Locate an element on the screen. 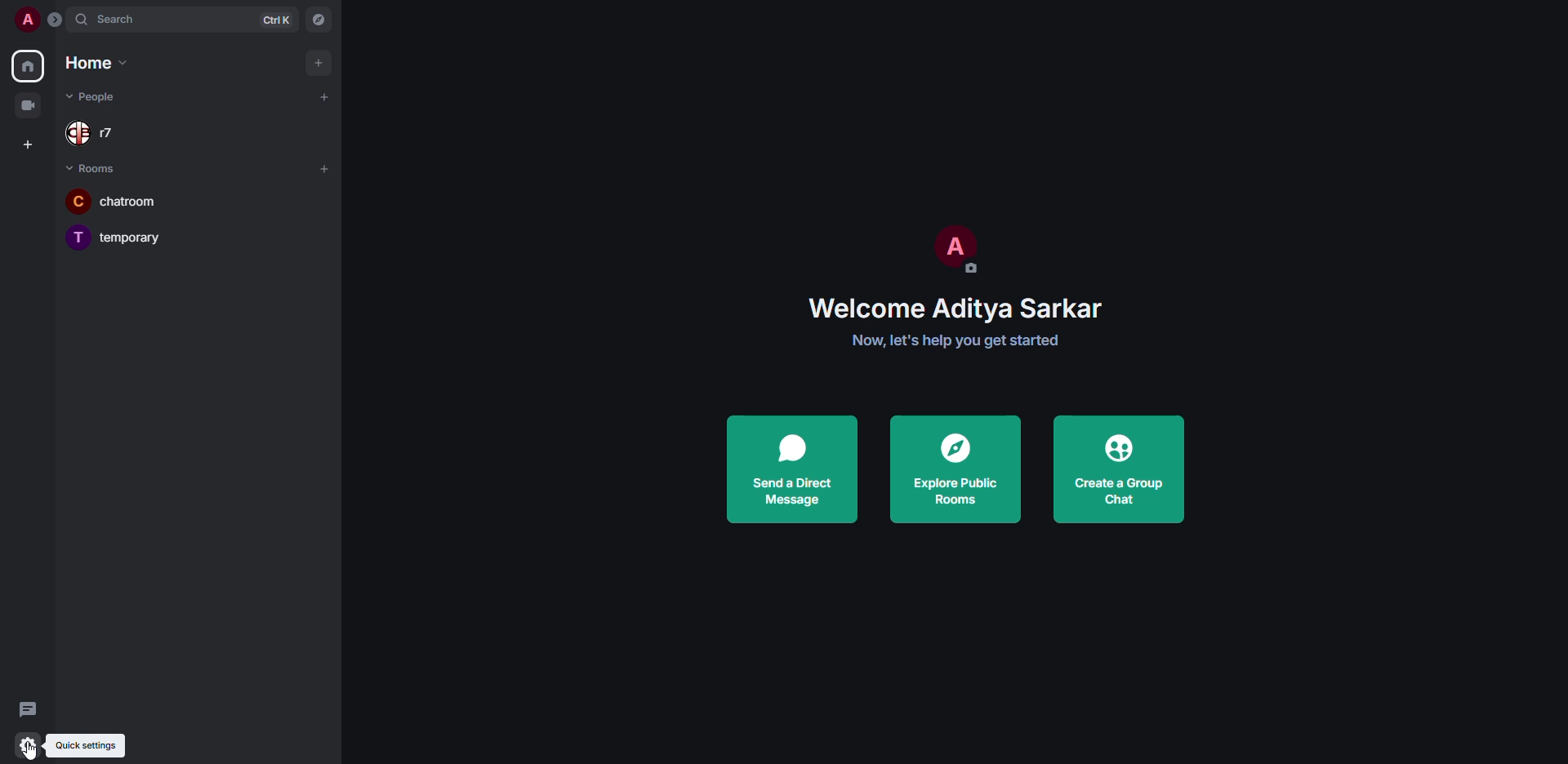  cursor is located at coordinates (34, 750).